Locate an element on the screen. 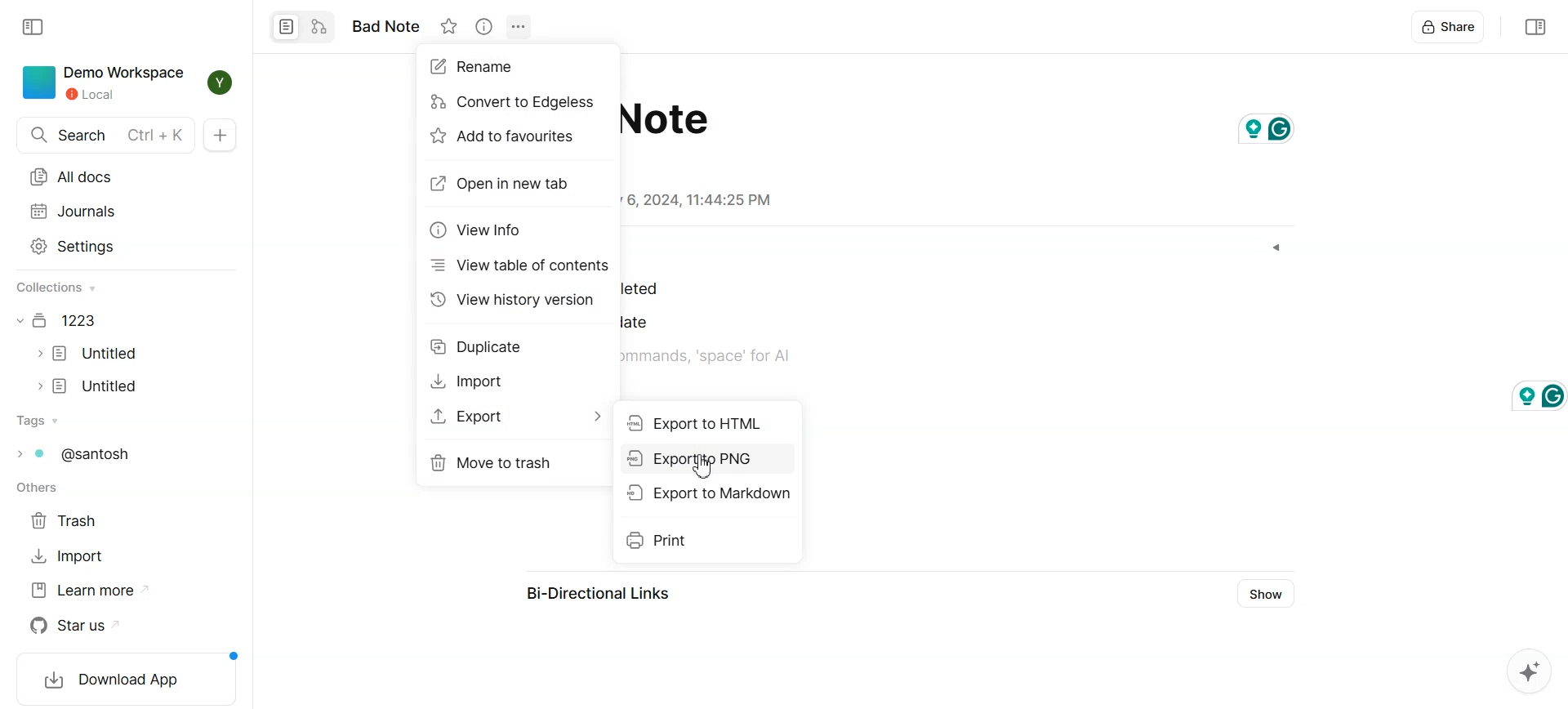  Assistant is located at coordinates (1528, 671).